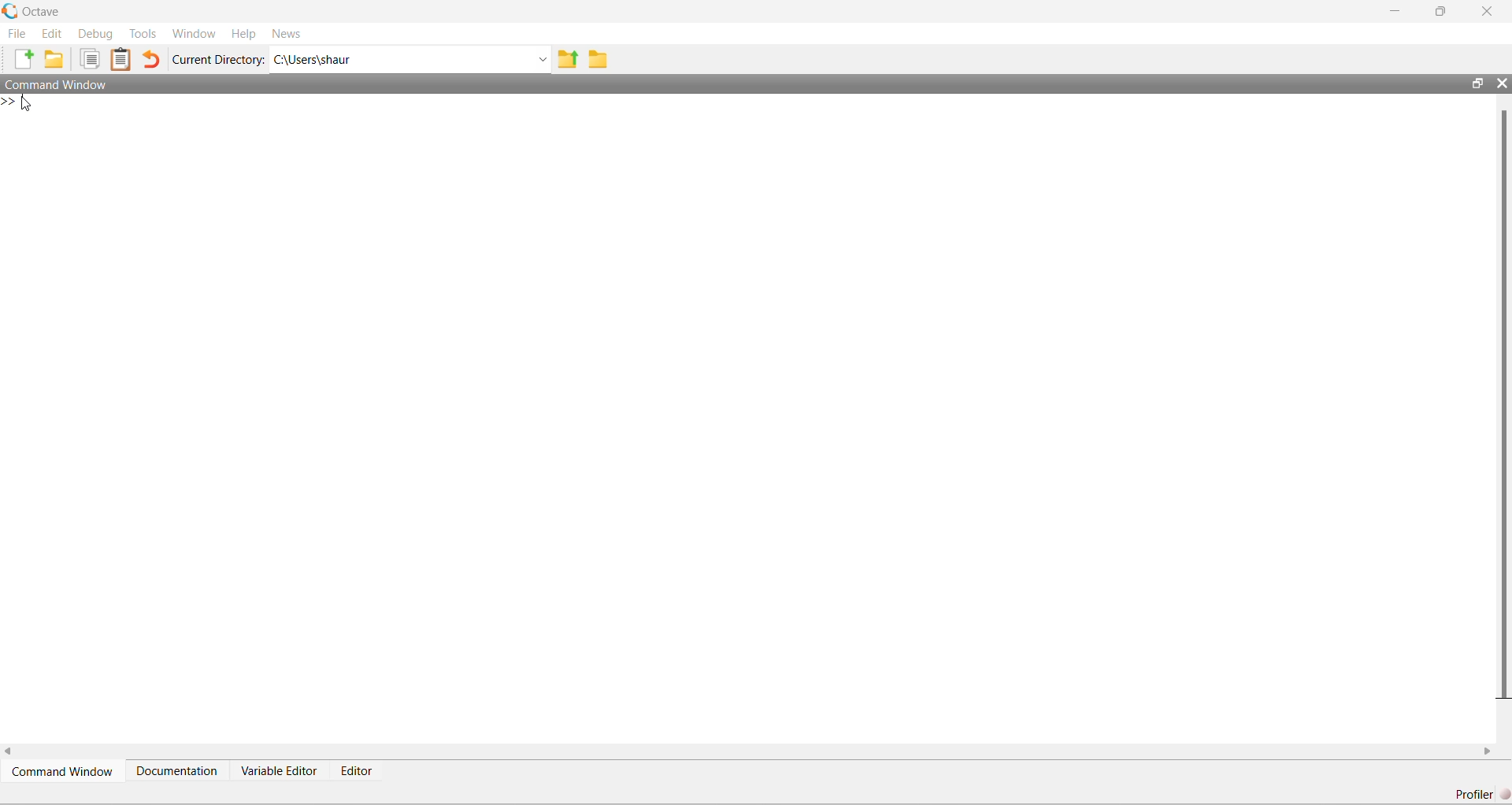 Image resolution: width=1512 pixels, height=805 pixels. Describe the element at coordinates (143, 33) in the screenshot. I see `Tools` at that location.